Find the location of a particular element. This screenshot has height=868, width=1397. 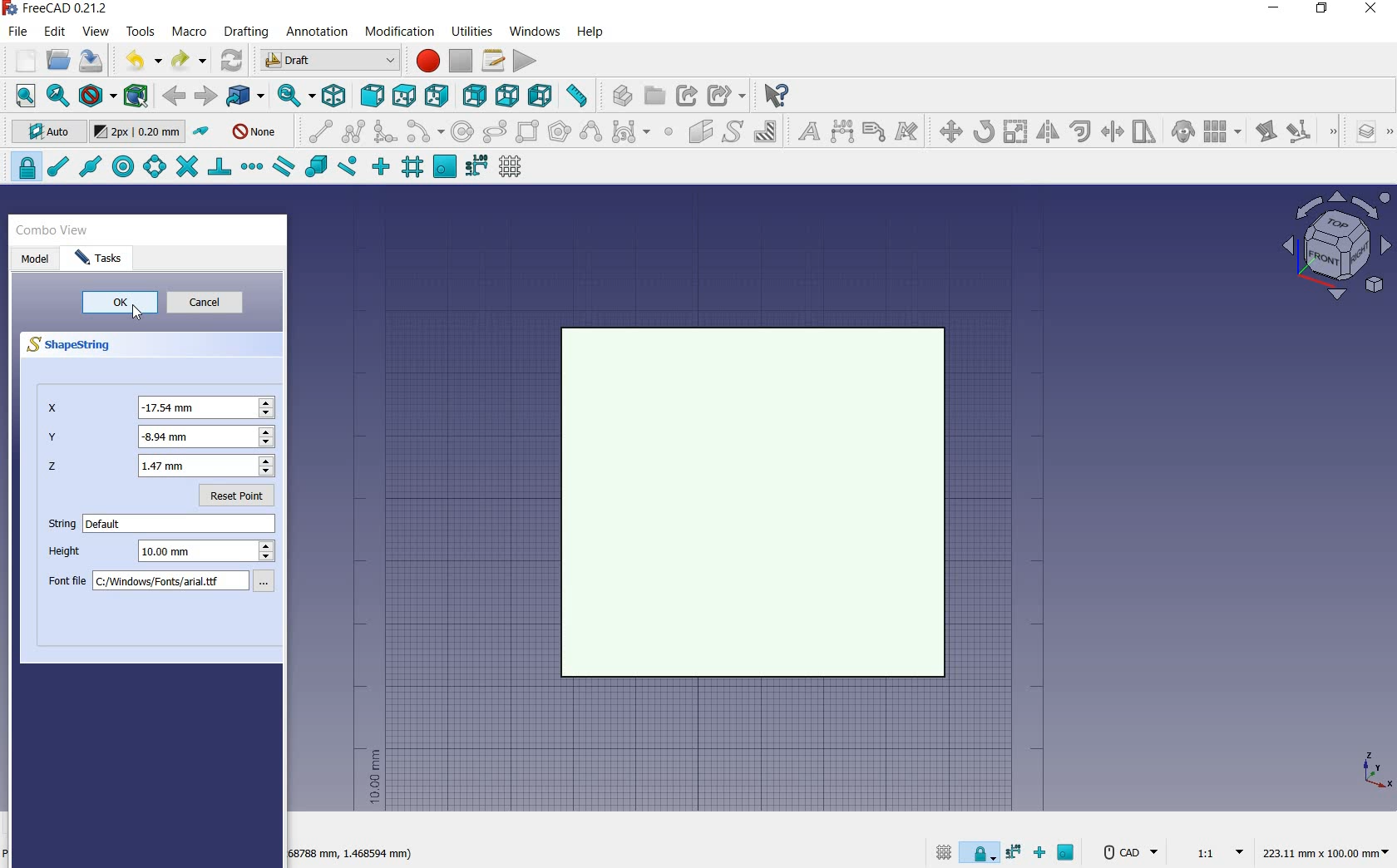

font file is located at coordinates (168, 584).